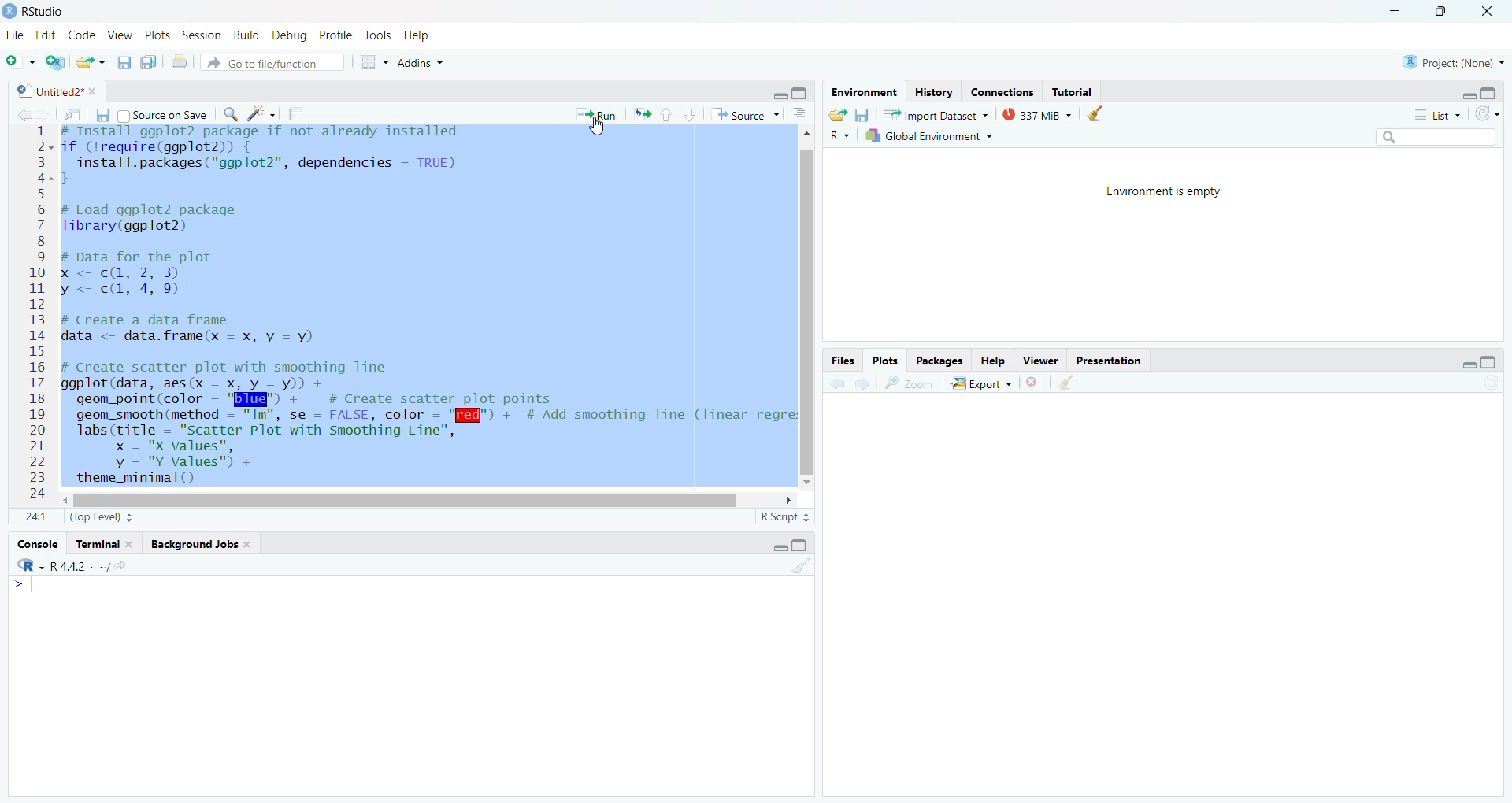  Describe the element at coordinates (1444, 139) in the screenshot. I see `search bar` at that location.